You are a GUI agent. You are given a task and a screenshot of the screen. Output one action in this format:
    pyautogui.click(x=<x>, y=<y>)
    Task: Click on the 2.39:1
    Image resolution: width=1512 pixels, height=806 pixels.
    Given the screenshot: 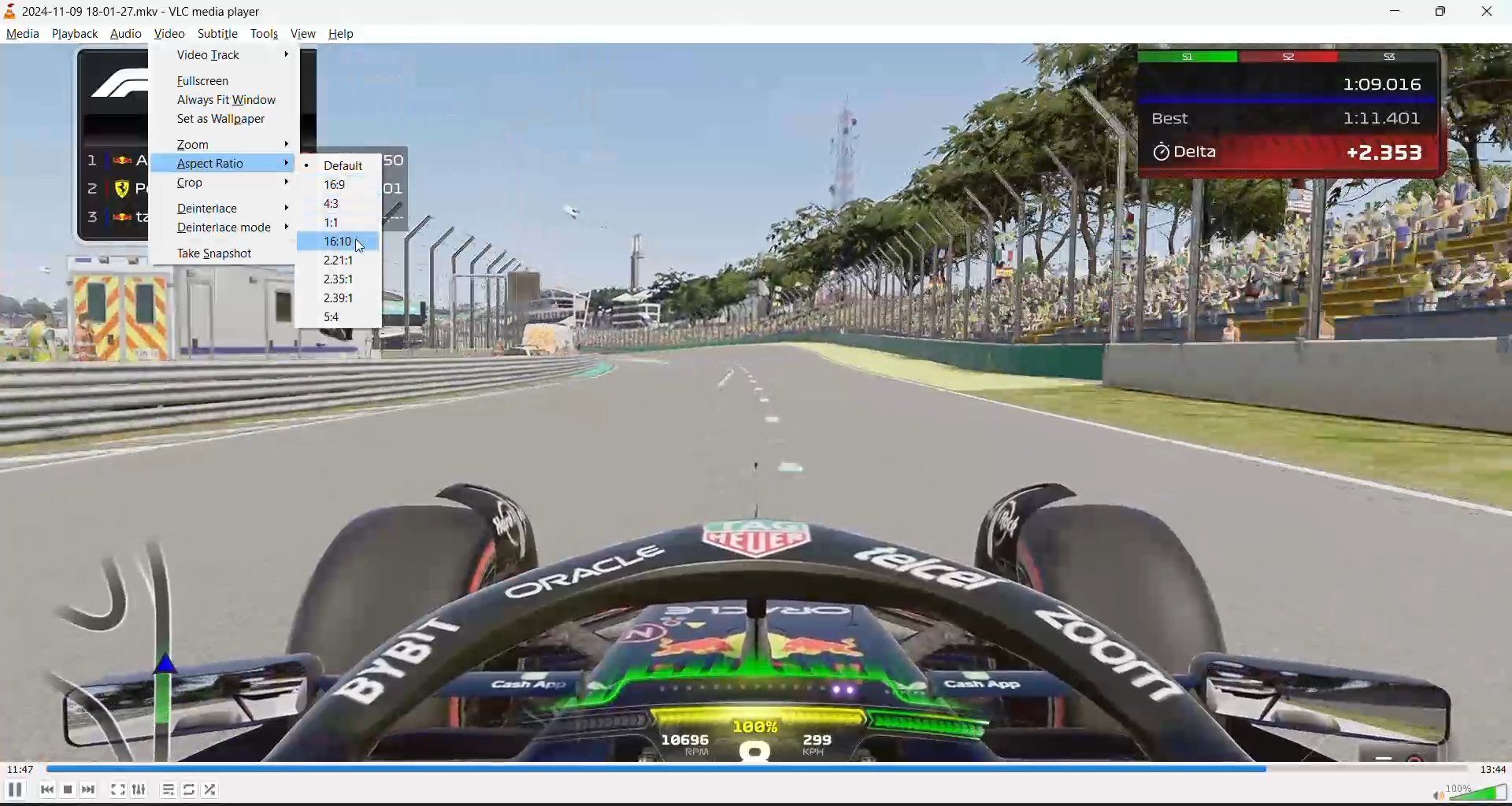 What is the action you would take?
    pyautogui.click(x=341, y=298)
    